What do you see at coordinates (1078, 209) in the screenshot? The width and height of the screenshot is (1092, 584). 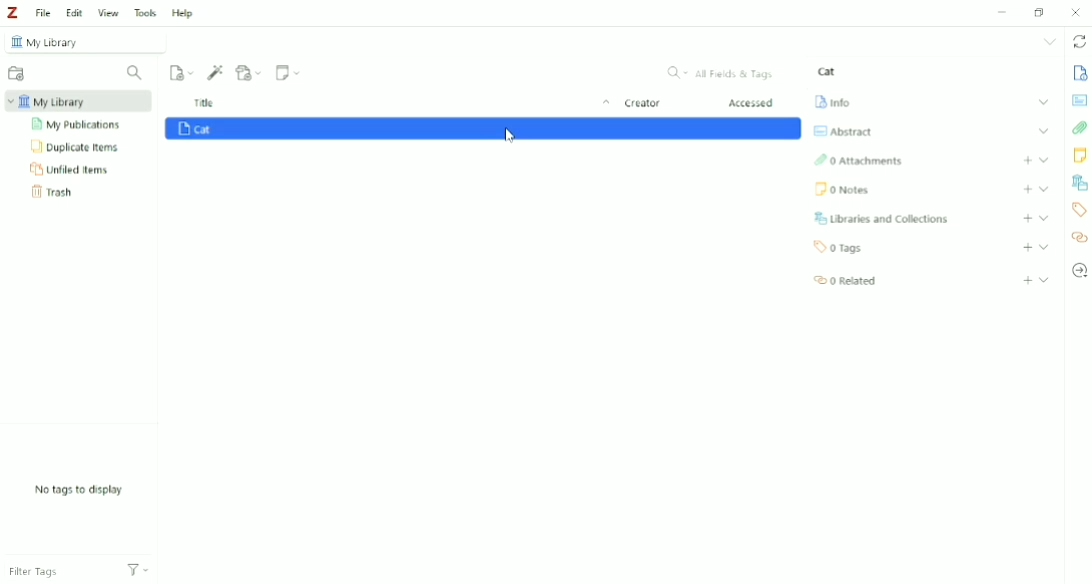 I see `Tags` at bounding box center [1078, 209].